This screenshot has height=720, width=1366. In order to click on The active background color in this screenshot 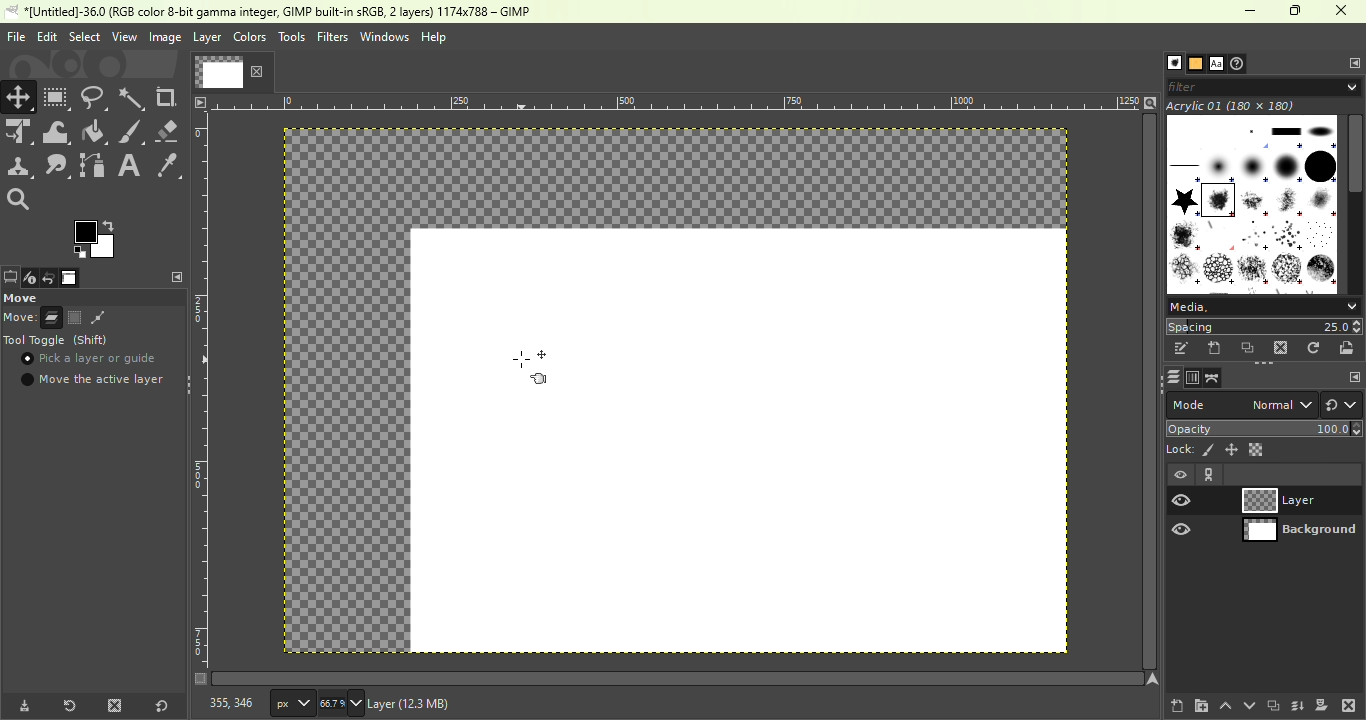, I will do `click(97, 237)`.